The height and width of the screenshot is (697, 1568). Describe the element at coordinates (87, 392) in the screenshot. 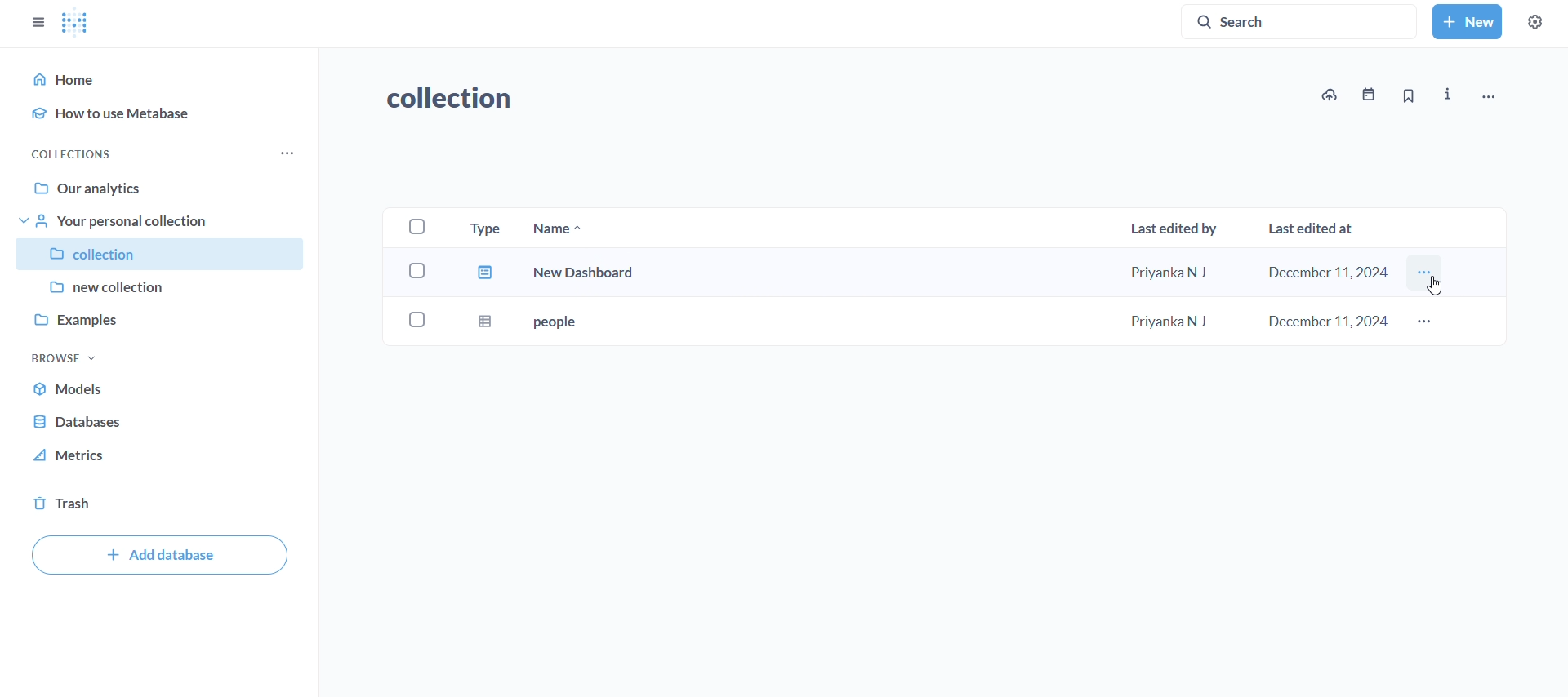

I see `models` at that location.